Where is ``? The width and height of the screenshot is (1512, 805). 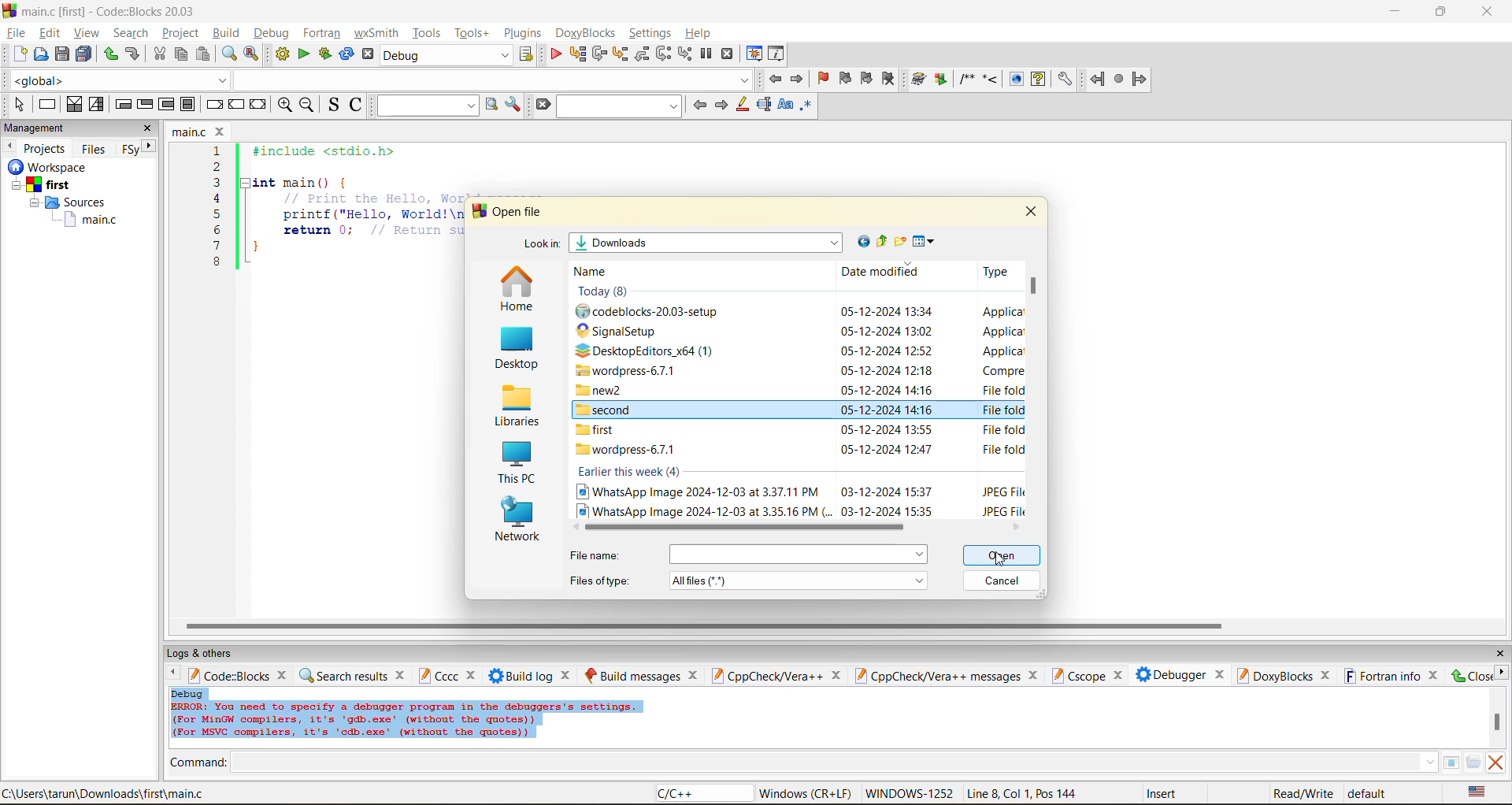  is located at coordinates (44, 167).